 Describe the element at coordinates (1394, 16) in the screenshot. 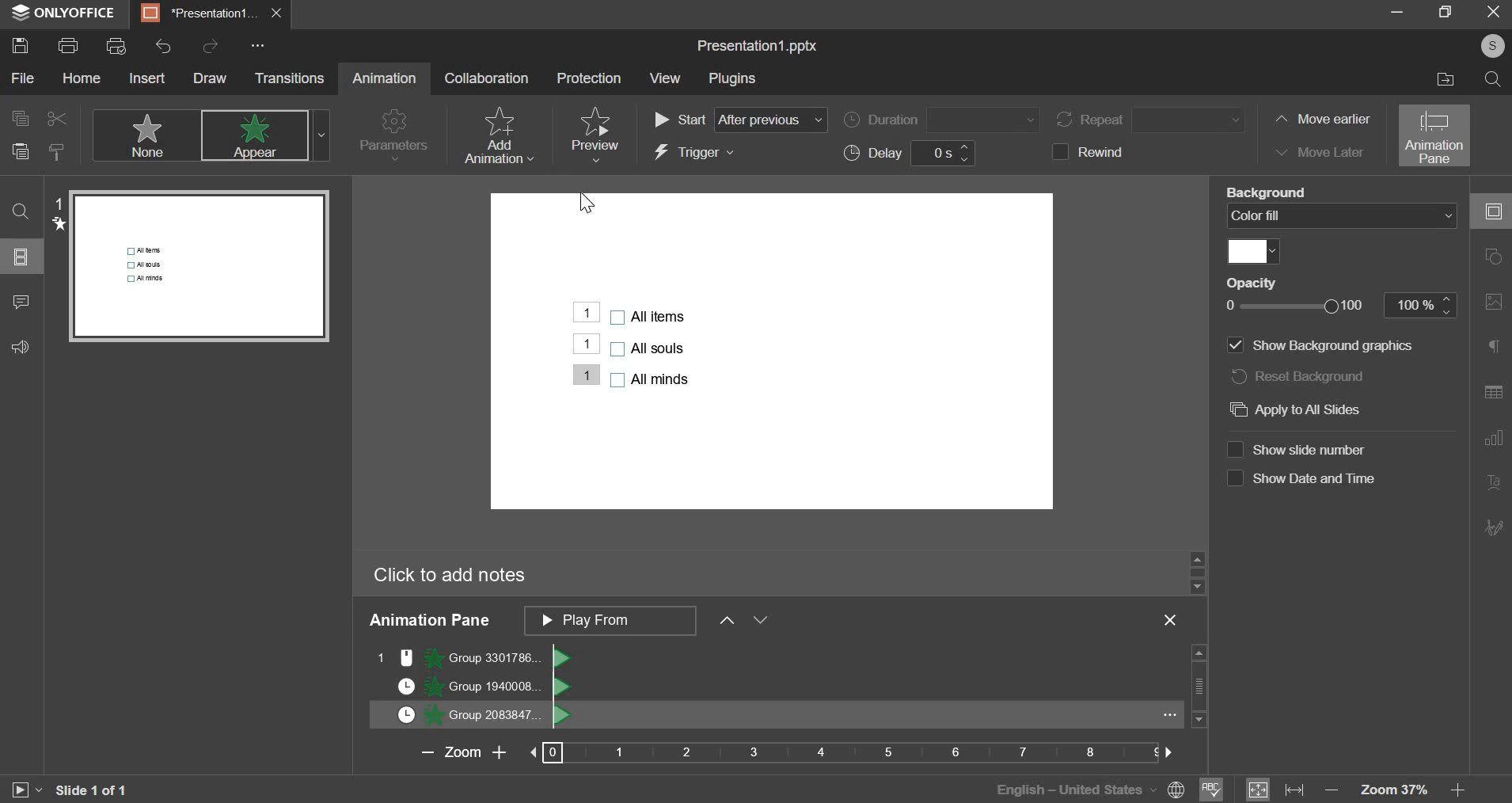

I see `minimize` at that location.